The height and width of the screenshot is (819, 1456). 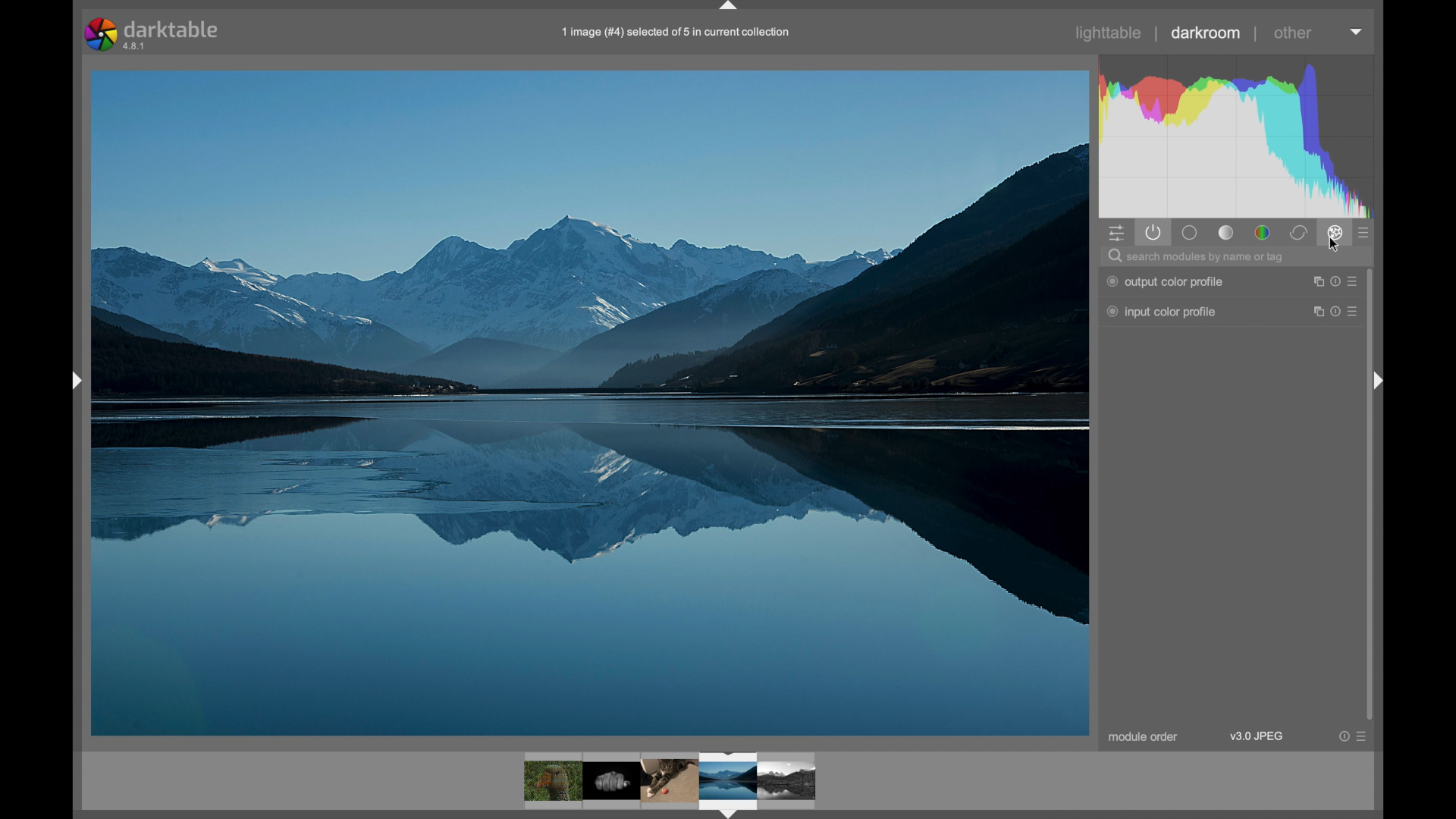 I want to click on drag handle, so click(x=732, y=8).